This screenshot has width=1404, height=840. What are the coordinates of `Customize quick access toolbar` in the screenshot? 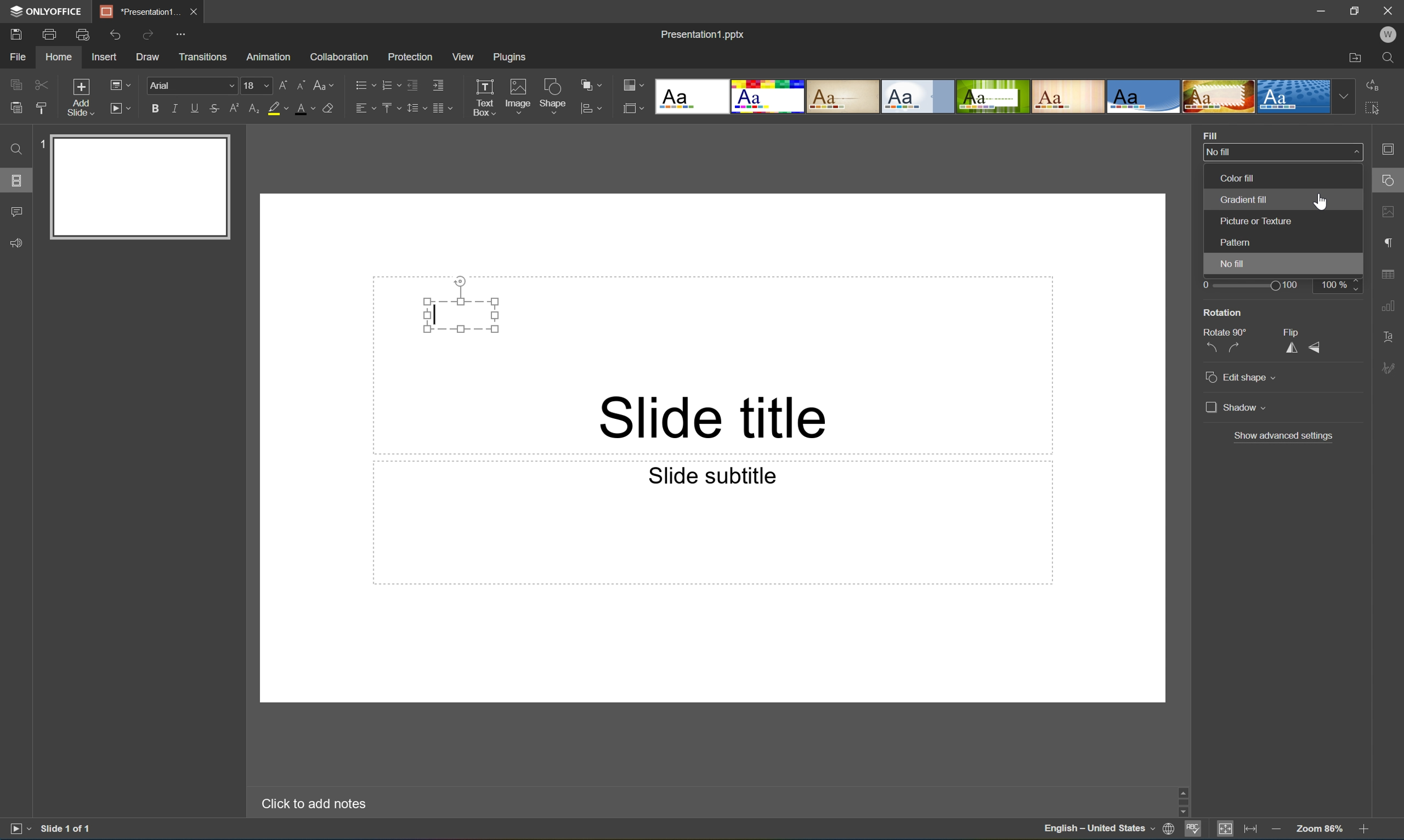 It's located at (185, 33).